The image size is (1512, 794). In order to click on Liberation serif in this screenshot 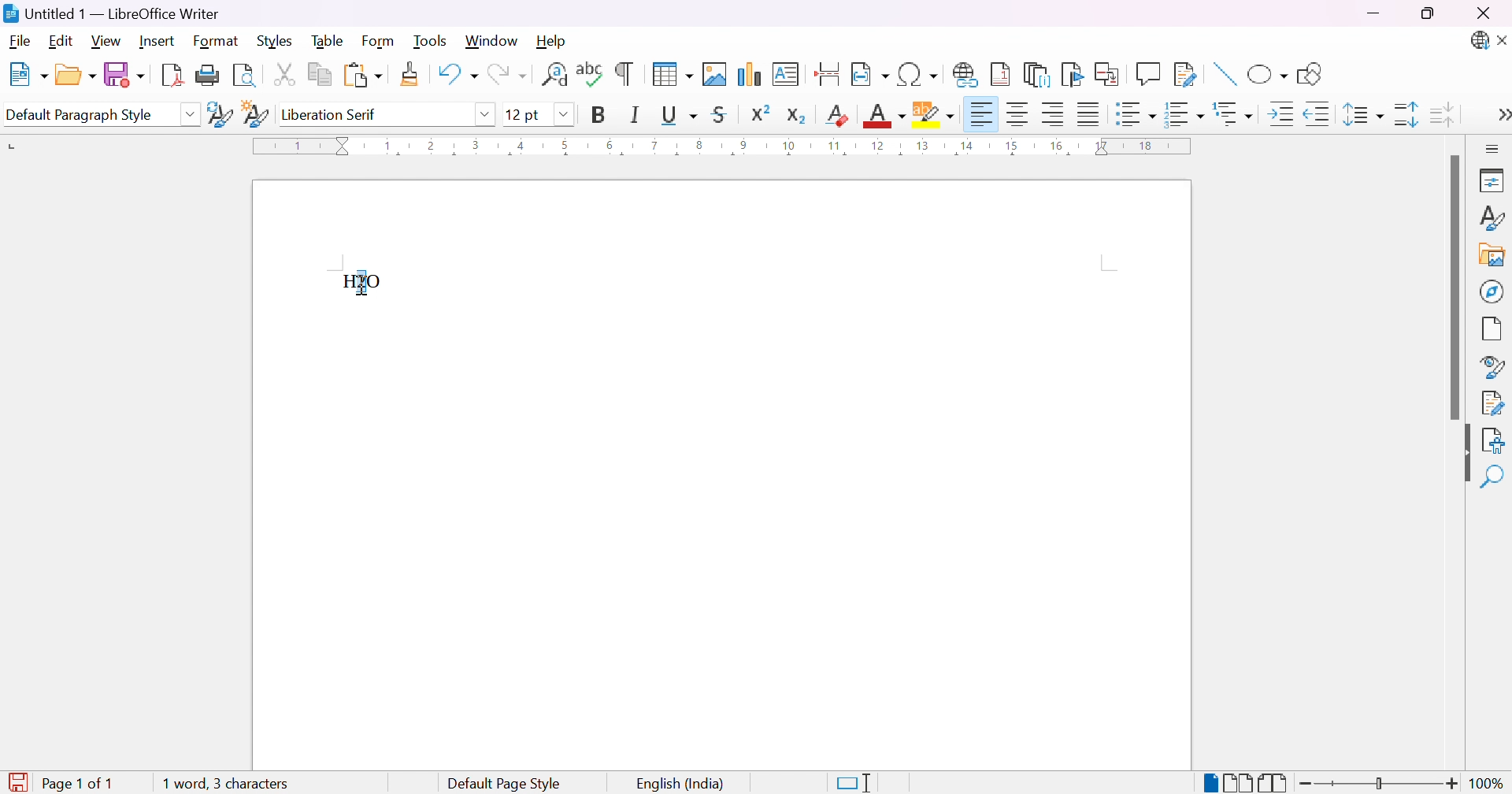, I will do `click(332, 114)`.